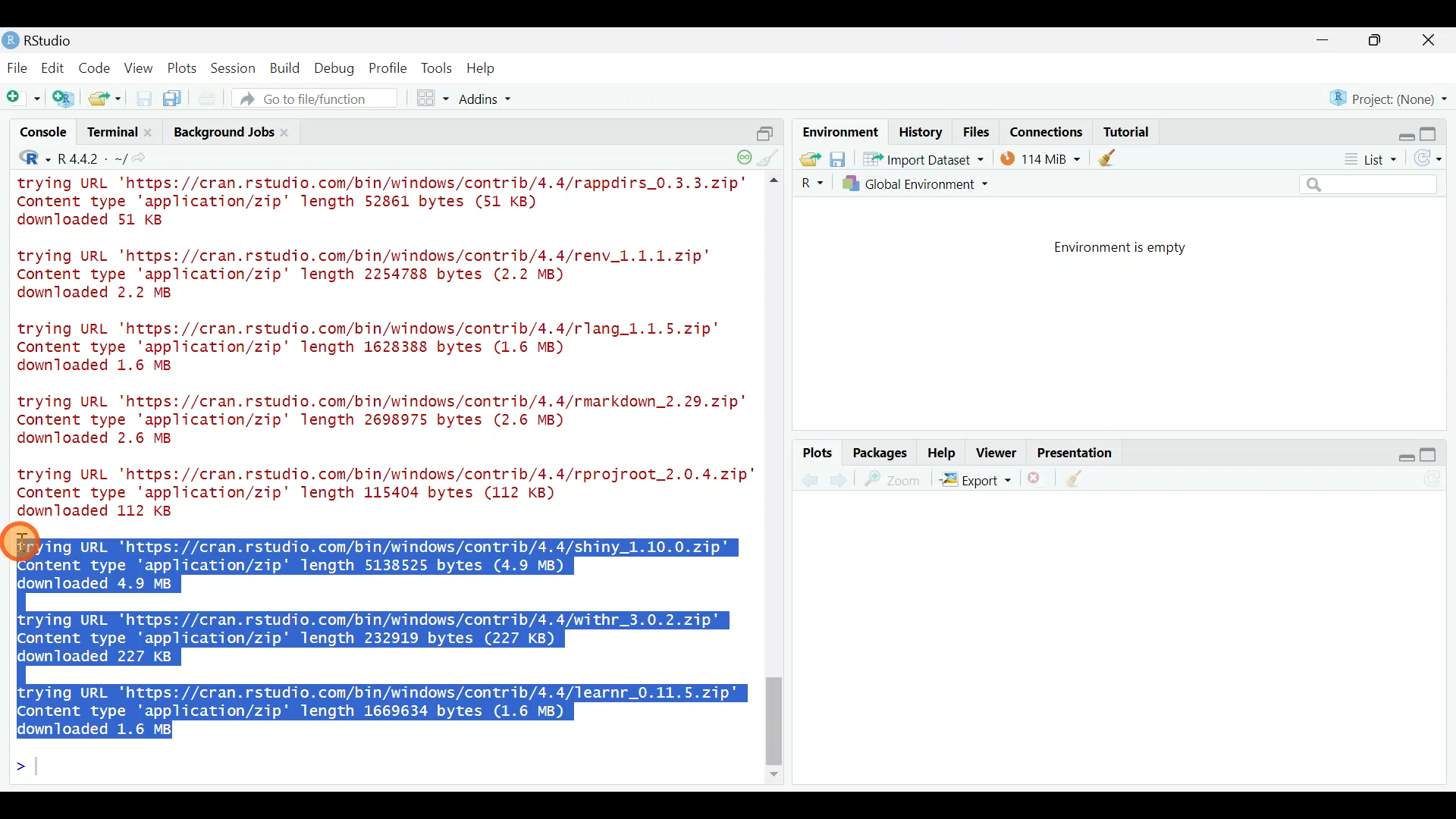  Describe the element at coordinates (209, 99) in the screenshot. I see `Print the current file` at that location.